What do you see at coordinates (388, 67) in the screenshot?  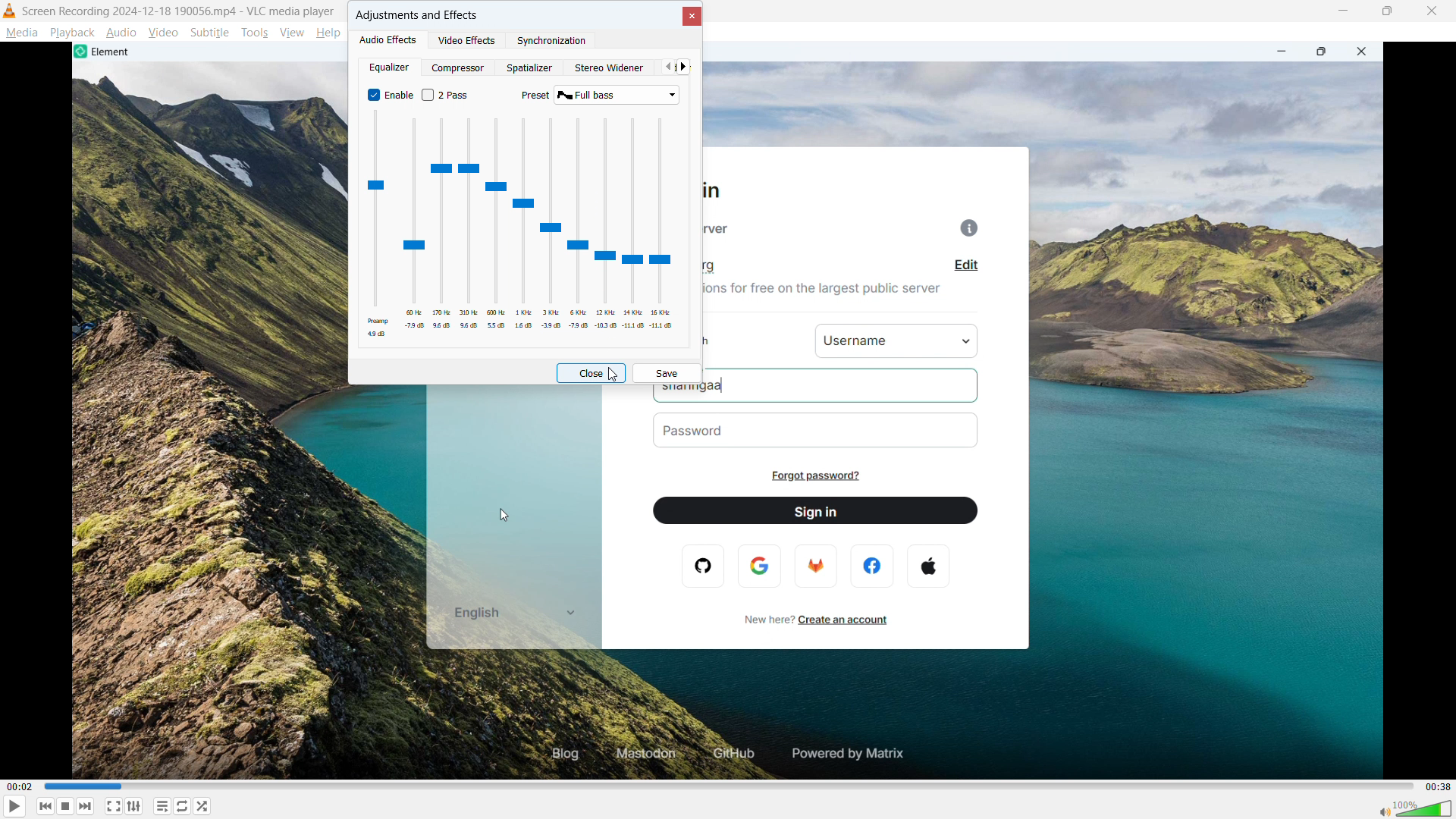 I see `equalizer ` at bounding box center [388, 67].